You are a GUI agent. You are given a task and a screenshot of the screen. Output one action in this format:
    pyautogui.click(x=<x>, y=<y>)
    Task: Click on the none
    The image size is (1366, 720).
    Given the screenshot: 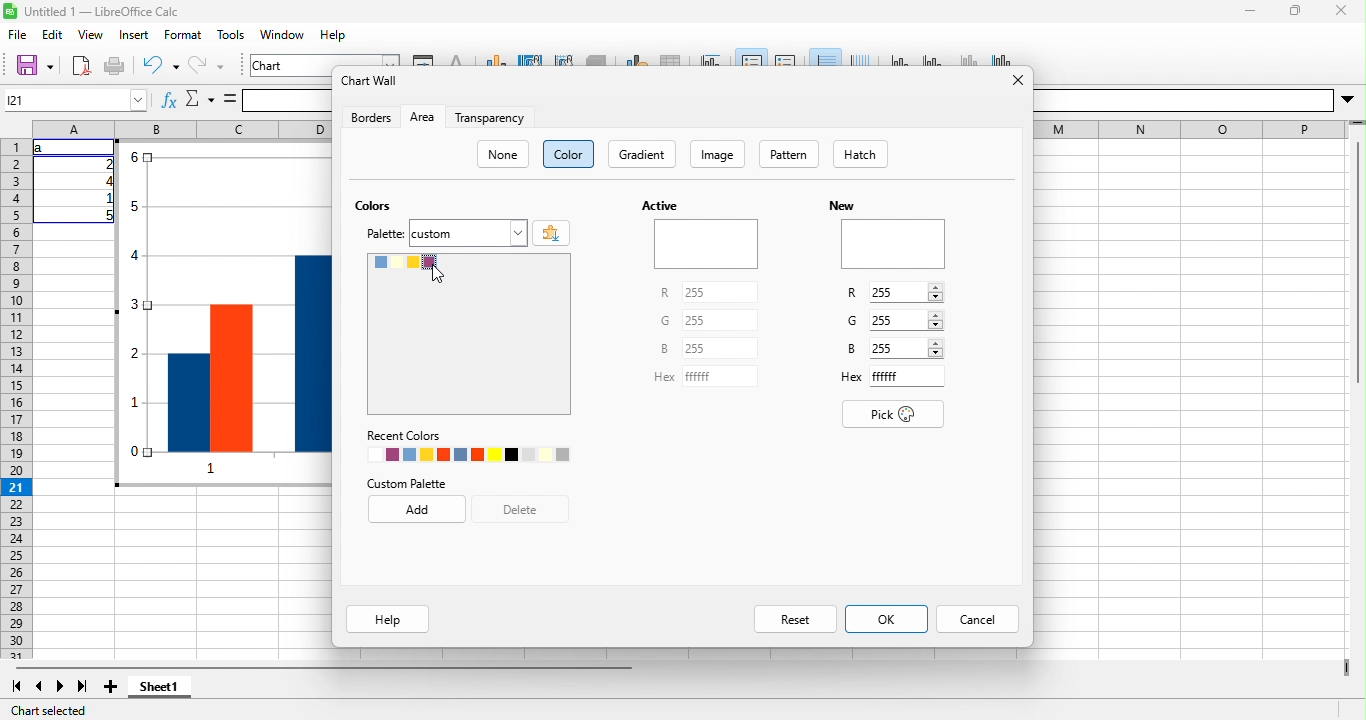 What is the action you would take?
    pyautogui.click(x=502, y=154)
    